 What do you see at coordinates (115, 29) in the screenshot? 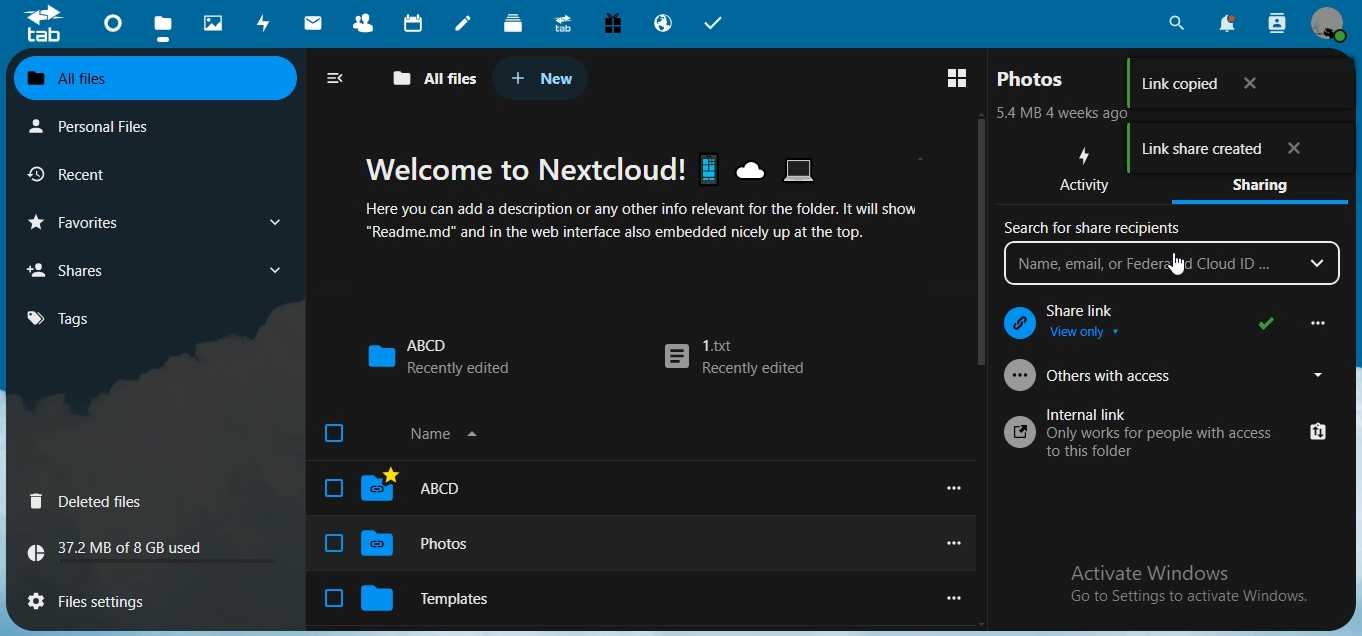
I see `dashboard` at bounding box center [115, 29].